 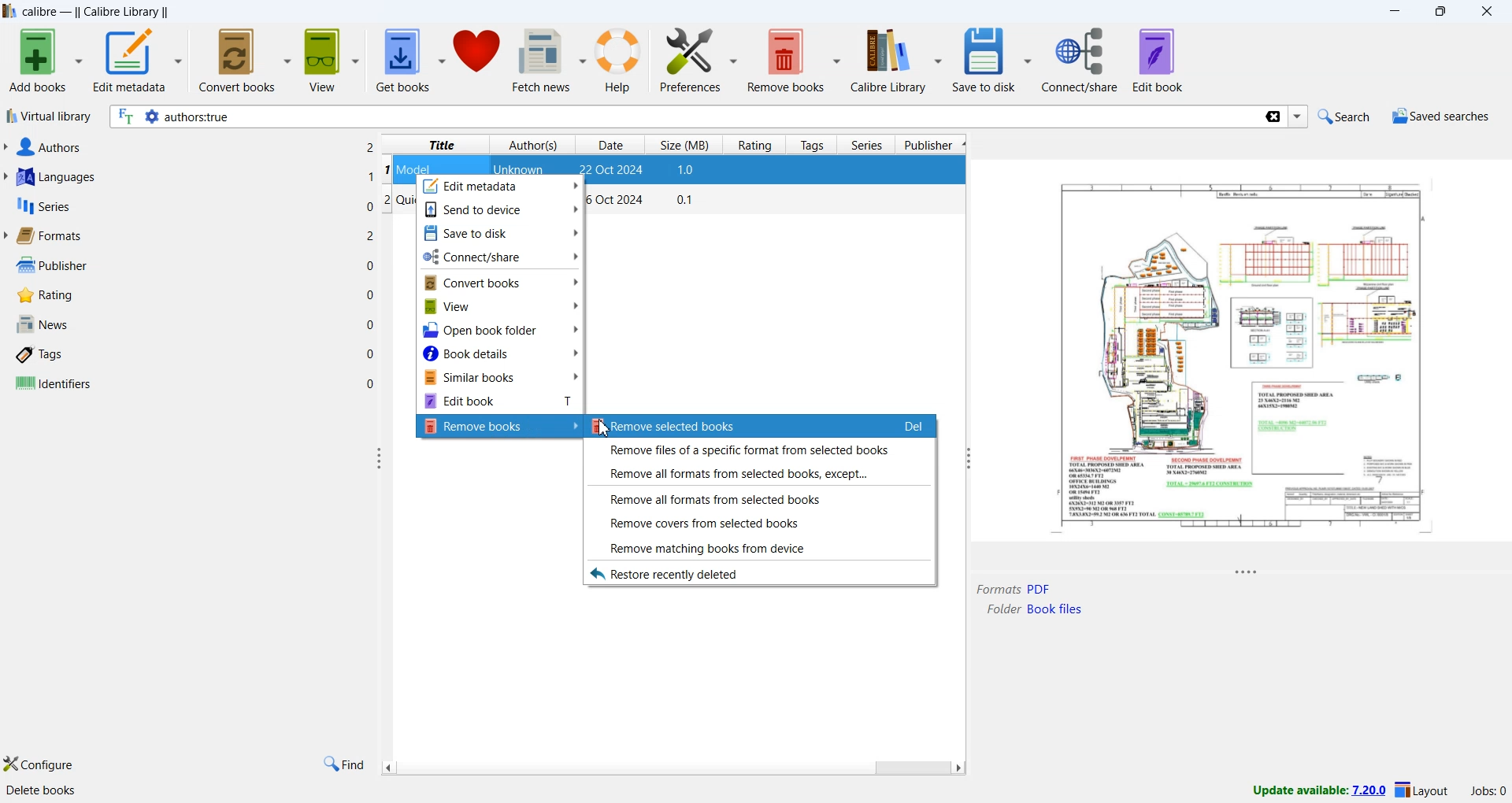 What do you see at coordinates (44, 61) in the screenshot?
I see `add books` at bounding box center [44, 61].